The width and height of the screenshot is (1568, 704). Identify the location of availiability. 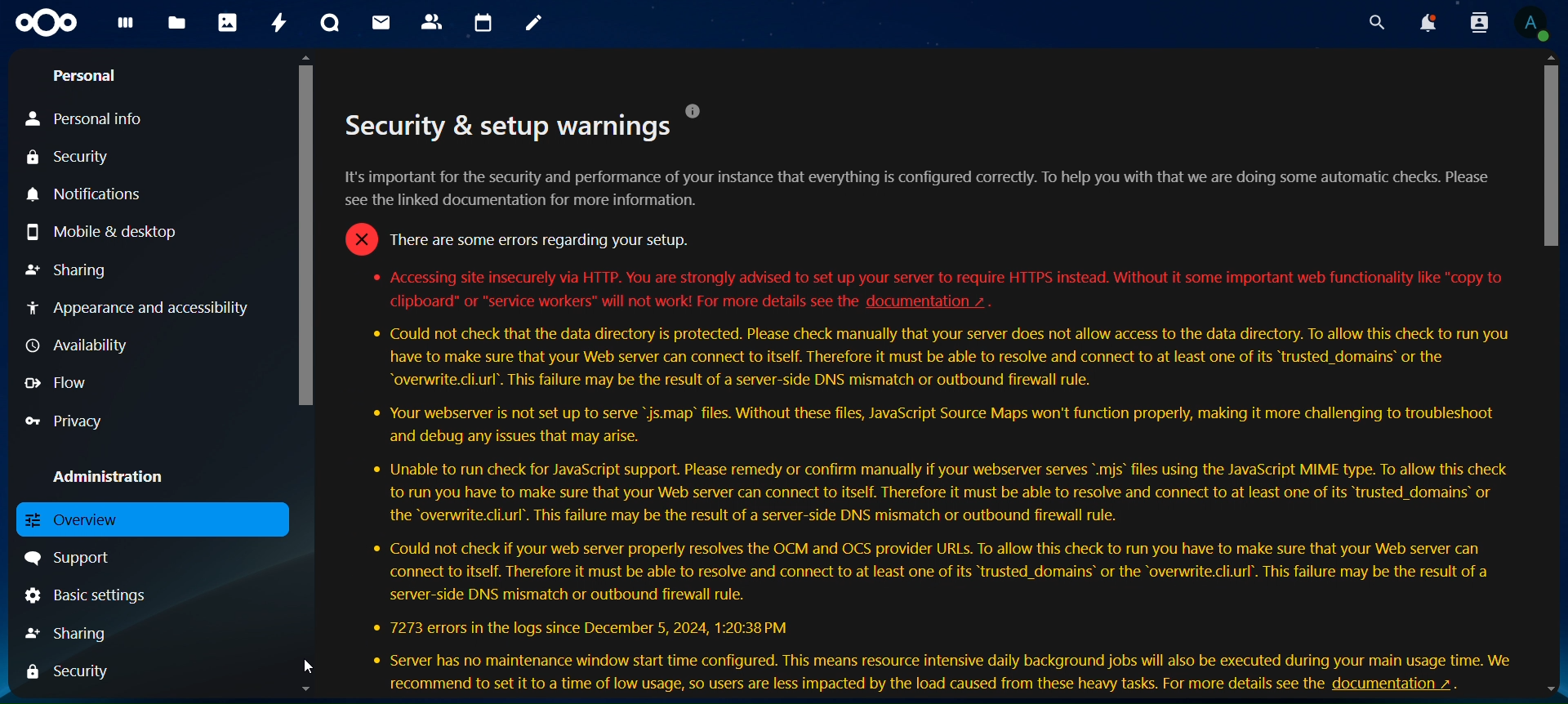
(82, 346).